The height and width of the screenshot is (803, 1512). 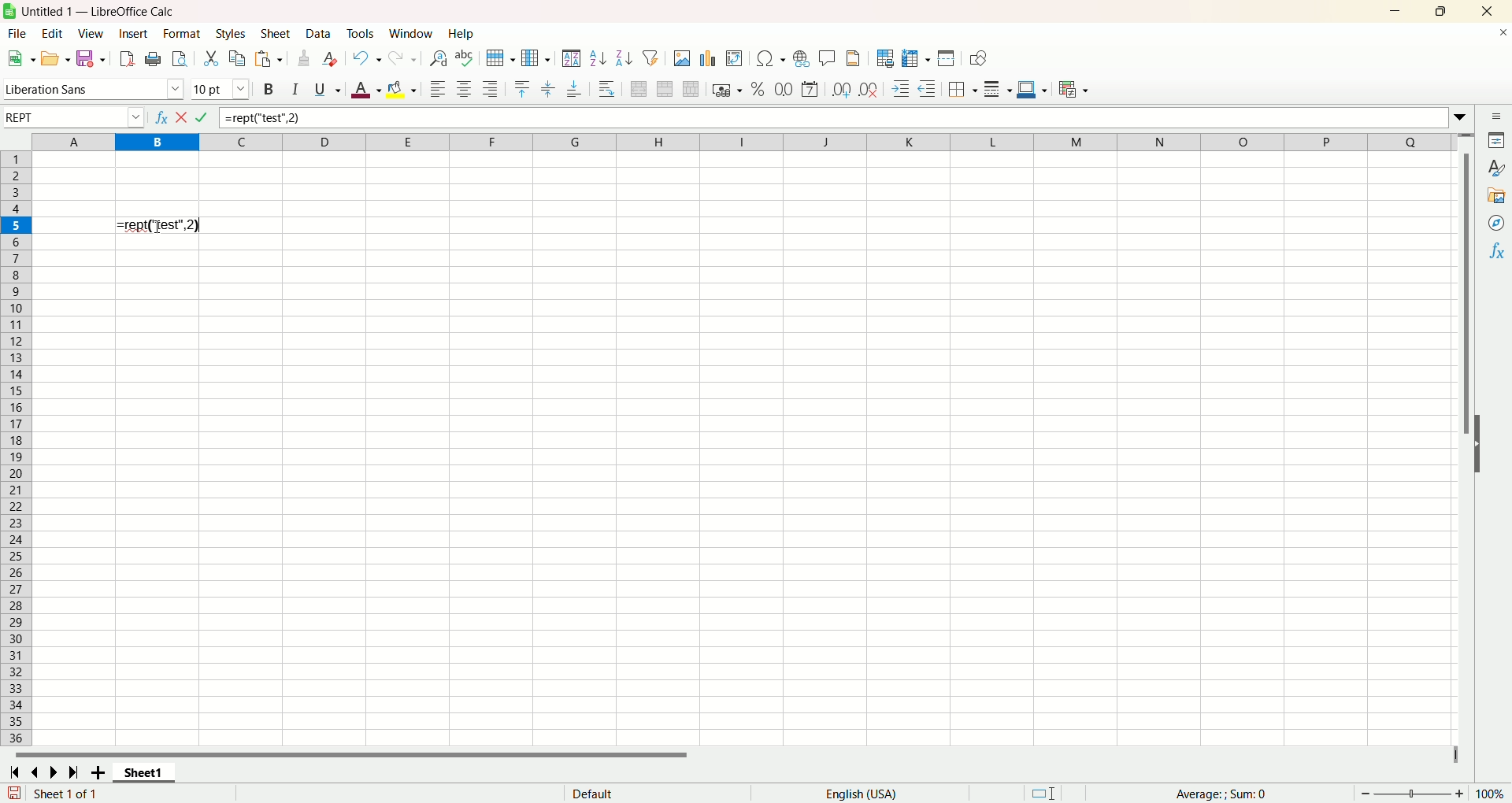 I want to click on italics, so click(x=295, y=91).